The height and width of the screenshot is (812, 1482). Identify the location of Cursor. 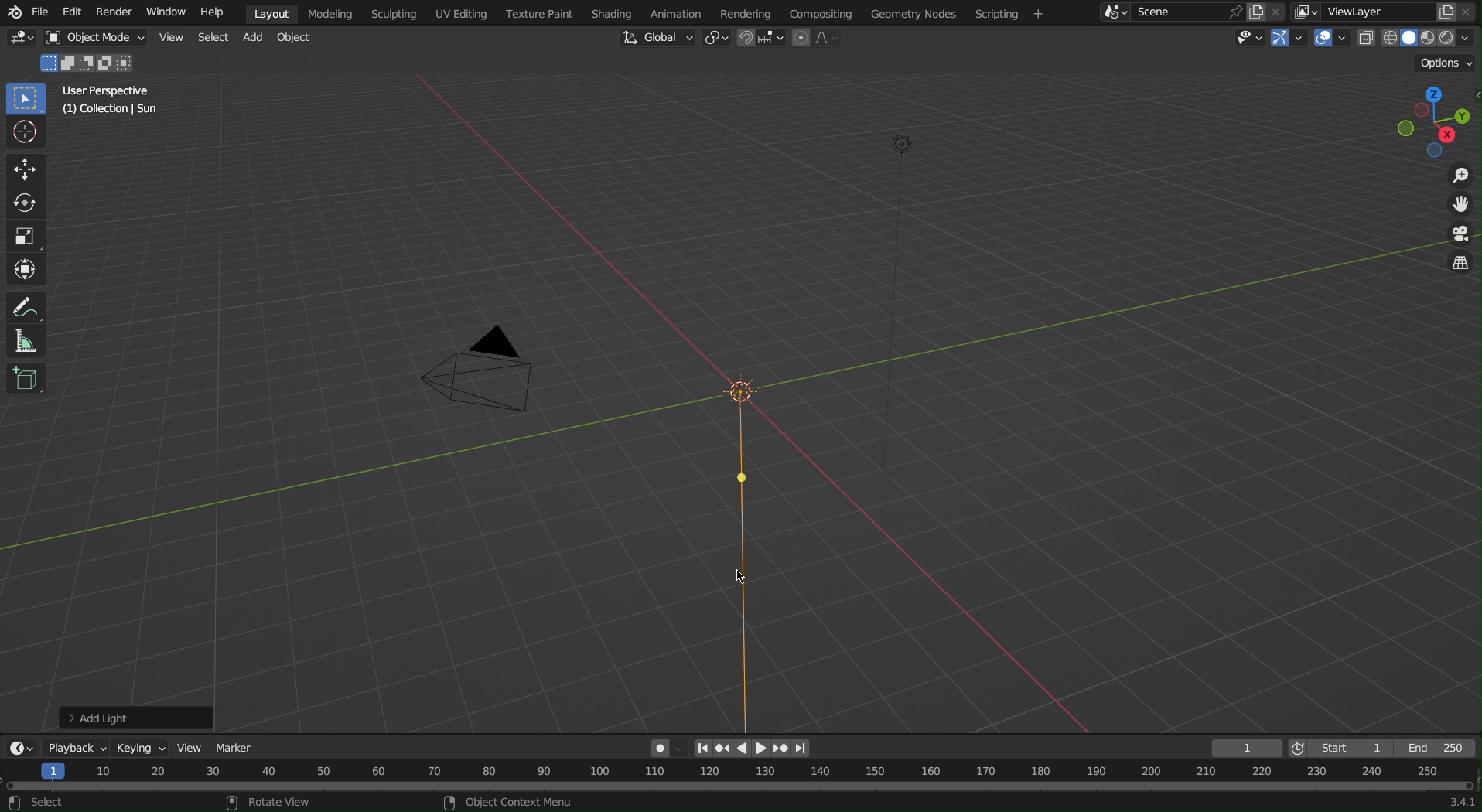
(27, 133).